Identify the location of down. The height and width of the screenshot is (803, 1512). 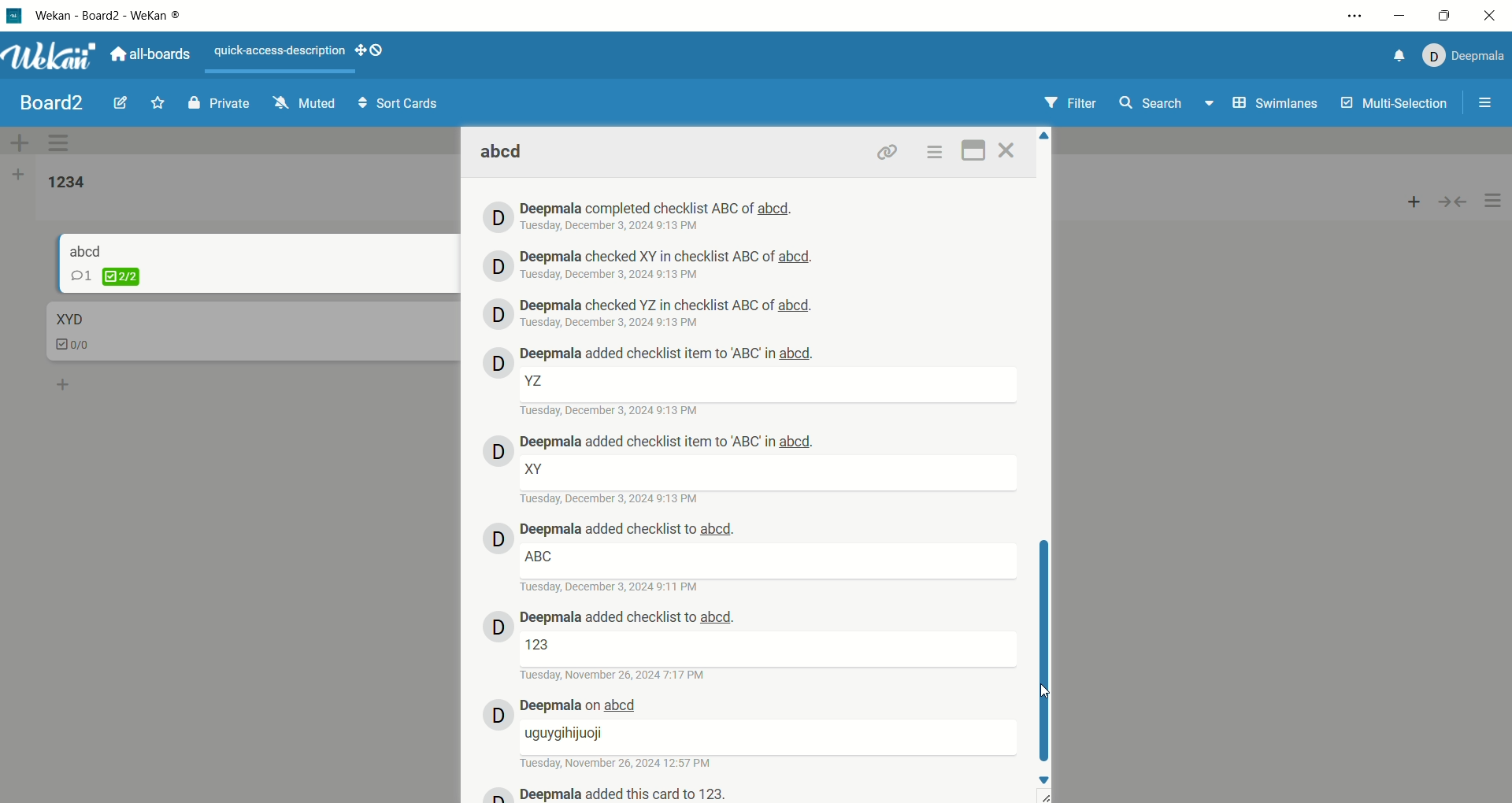
(1046, 781).